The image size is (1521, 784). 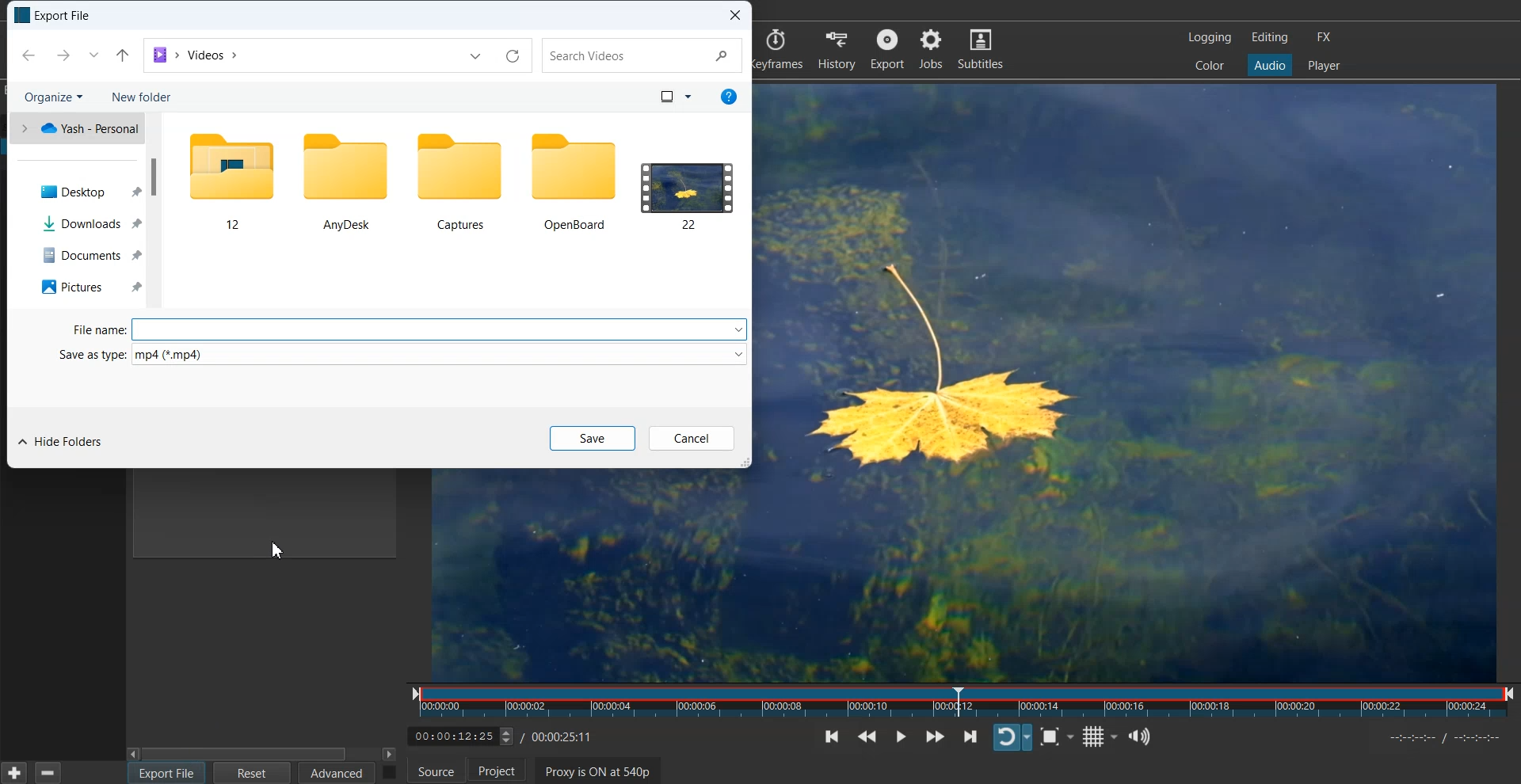 I want to click on Yash Personal, so click(x=83, y=130).